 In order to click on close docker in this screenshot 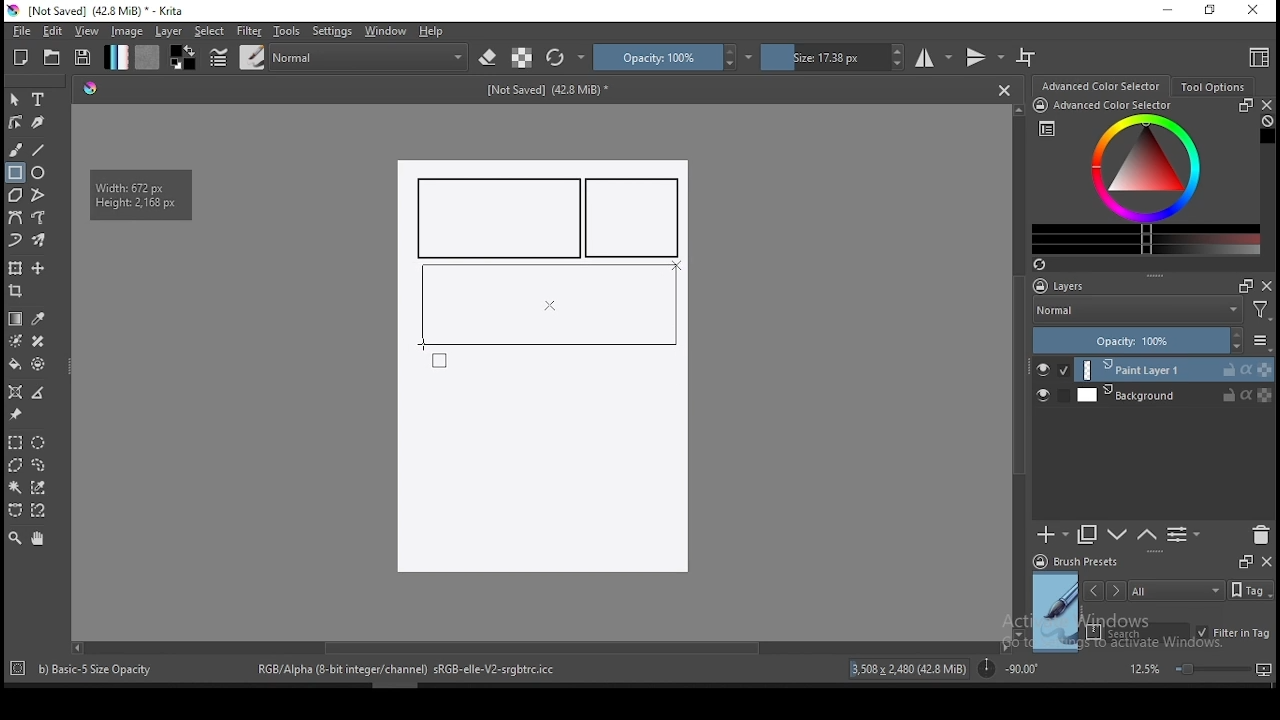, I will do `click(1267, 285)`.